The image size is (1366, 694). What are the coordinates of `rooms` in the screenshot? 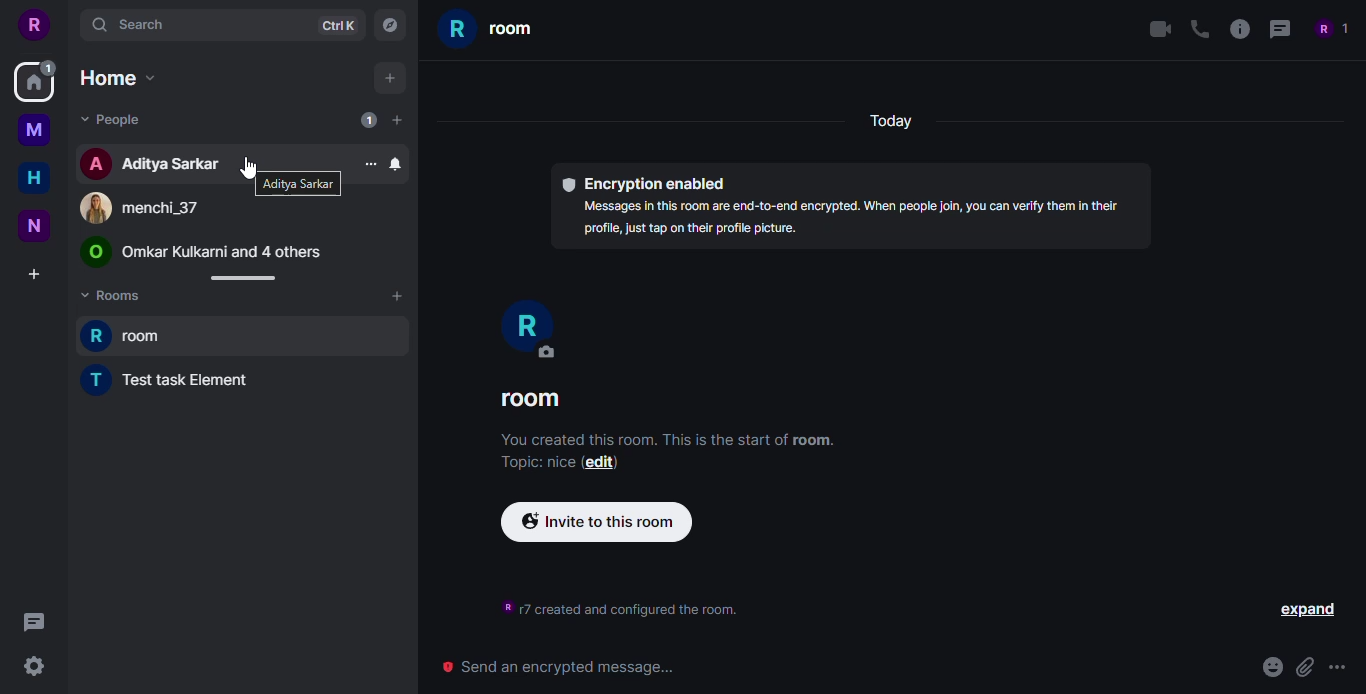 It's located at (116, 298).